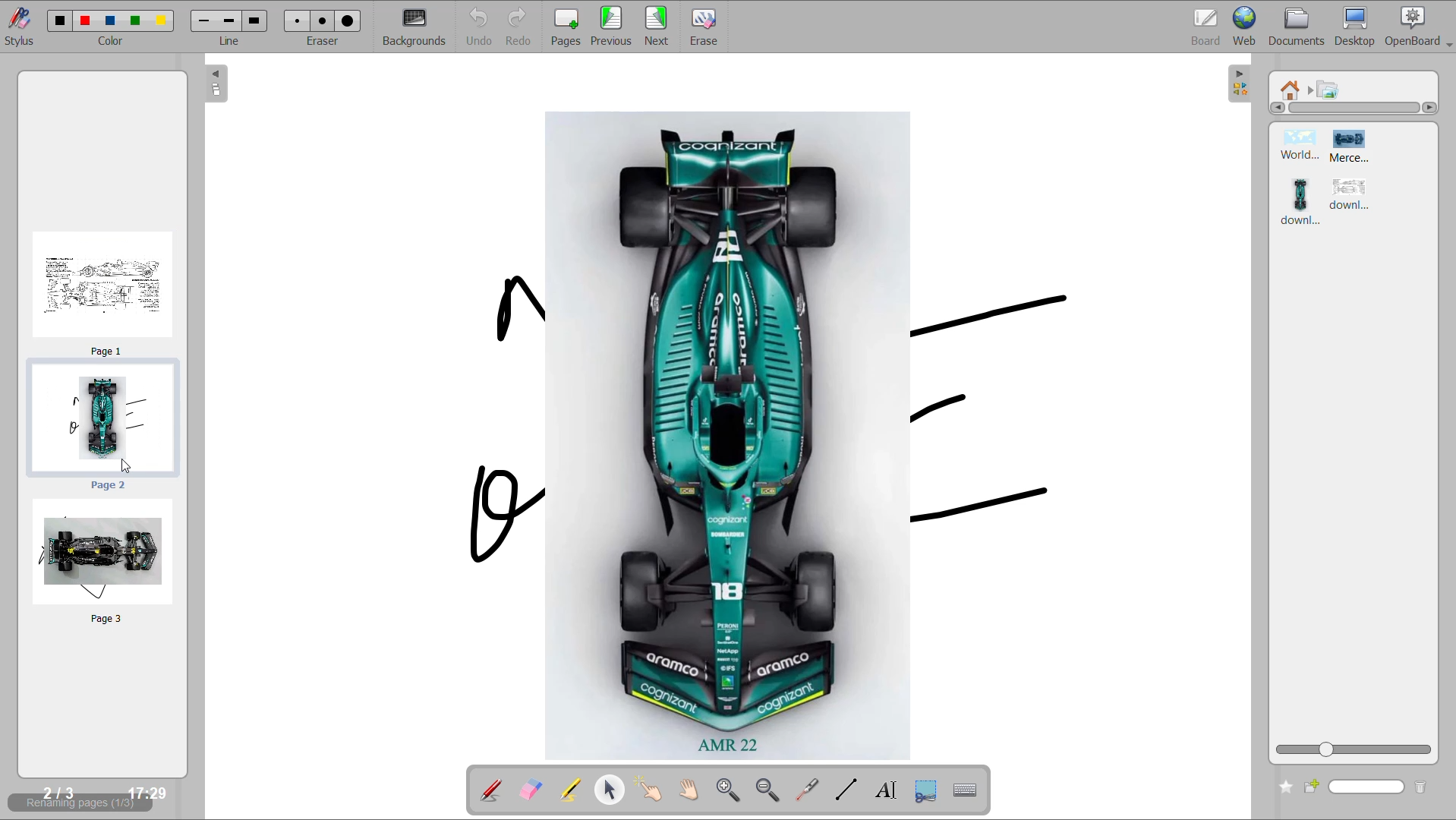 This screenshot has height=820, width=1456. Describe the element at coordinates (1316, 784) in the screenshot. I see `create new folder` at that location.